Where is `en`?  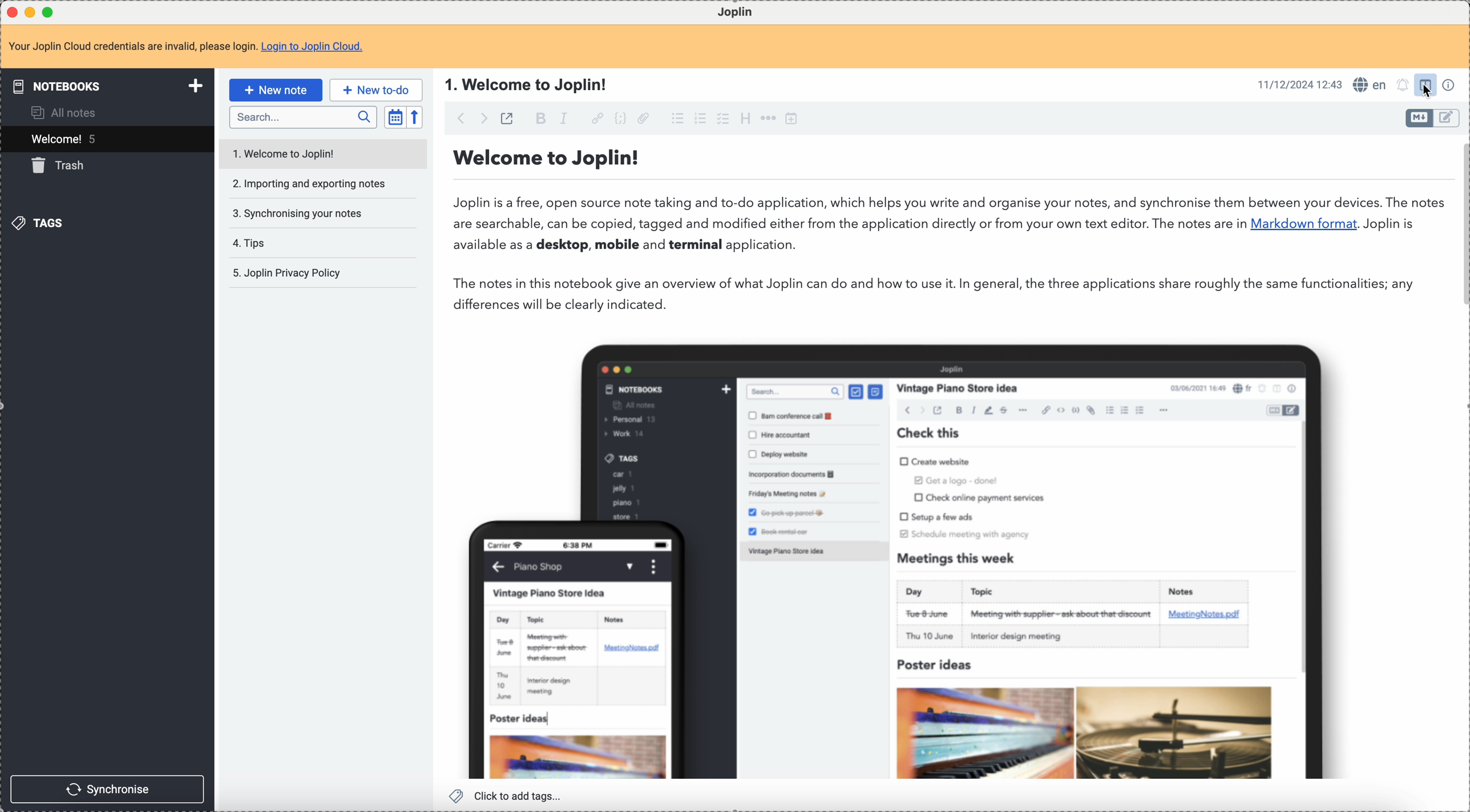
en is located at coordinates (1368, 83).